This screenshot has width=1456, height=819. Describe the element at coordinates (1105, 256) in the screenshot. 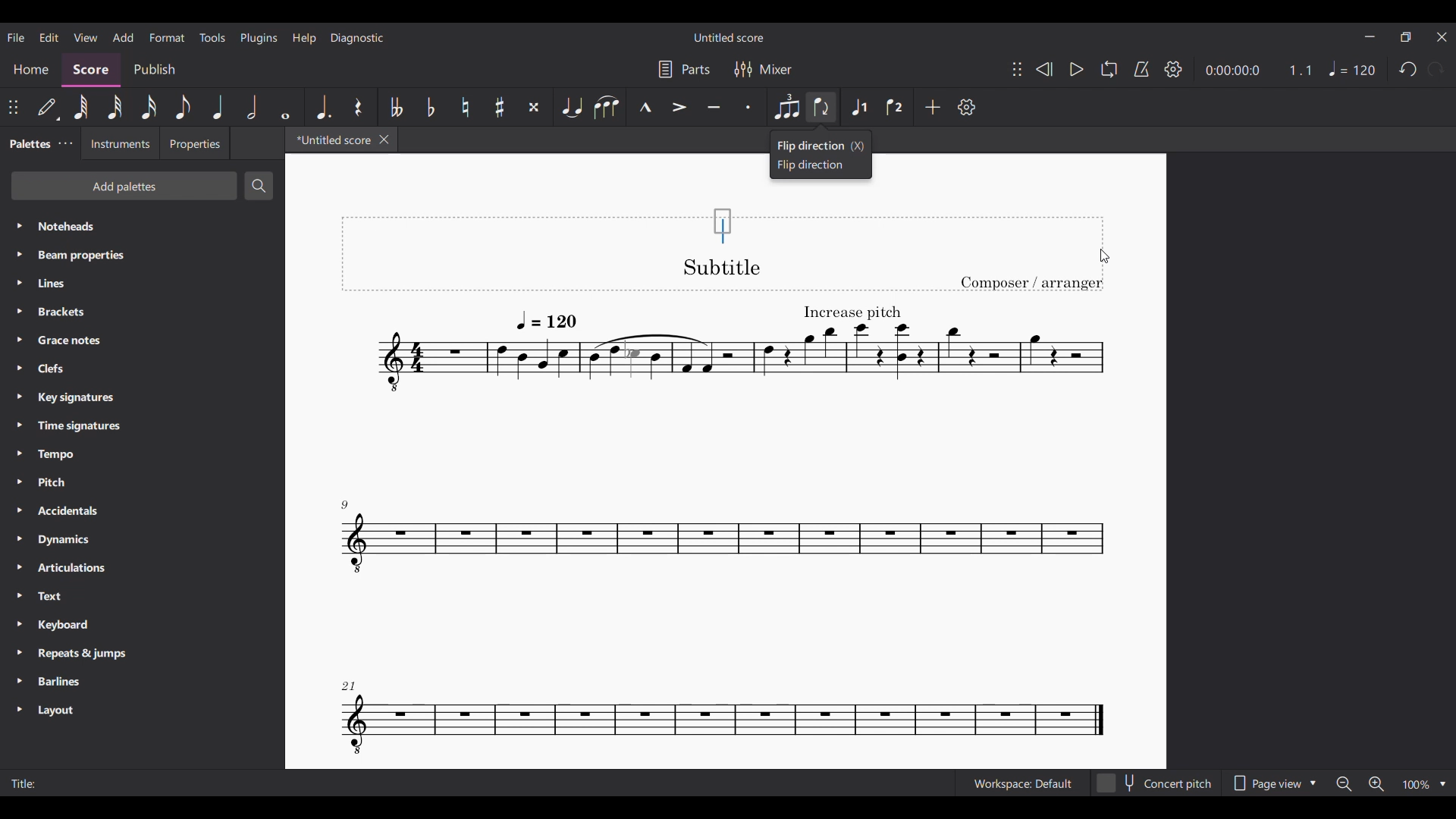

I see `Cursor position unchanged` at that location.